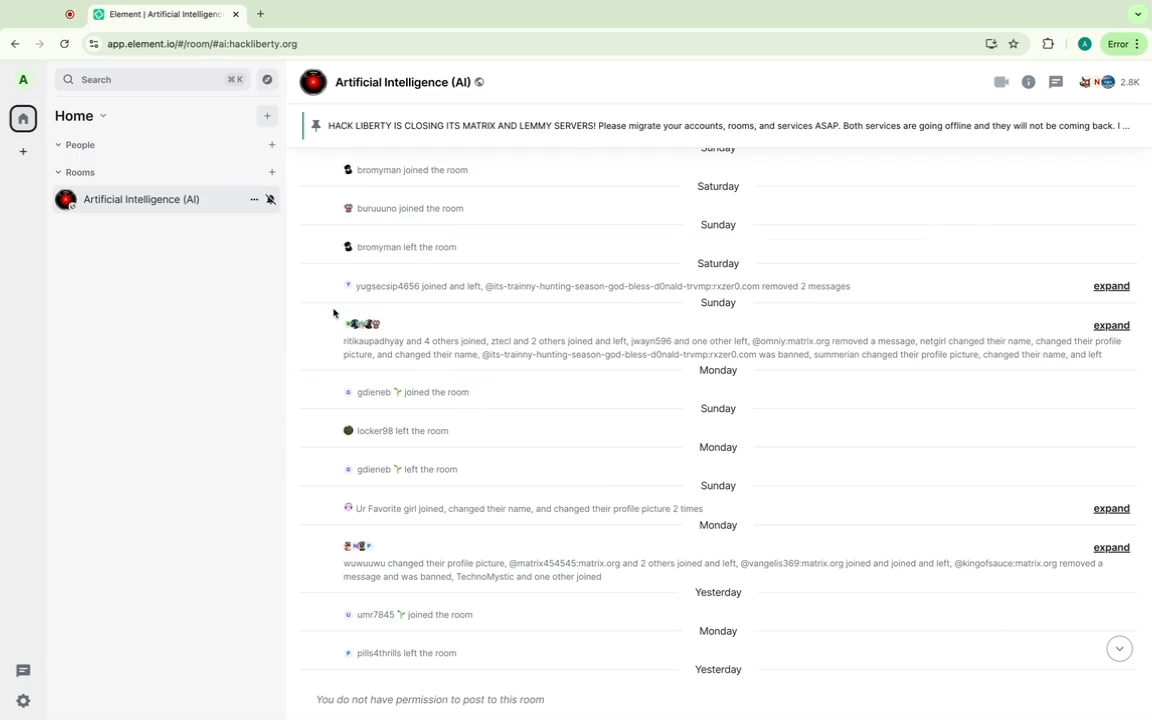 The width and height of the screenshot is (1152, 720). What do you see at coordinates (38, 43) in the screenshot?
I see `Forward` at bounding box center [38, 43].